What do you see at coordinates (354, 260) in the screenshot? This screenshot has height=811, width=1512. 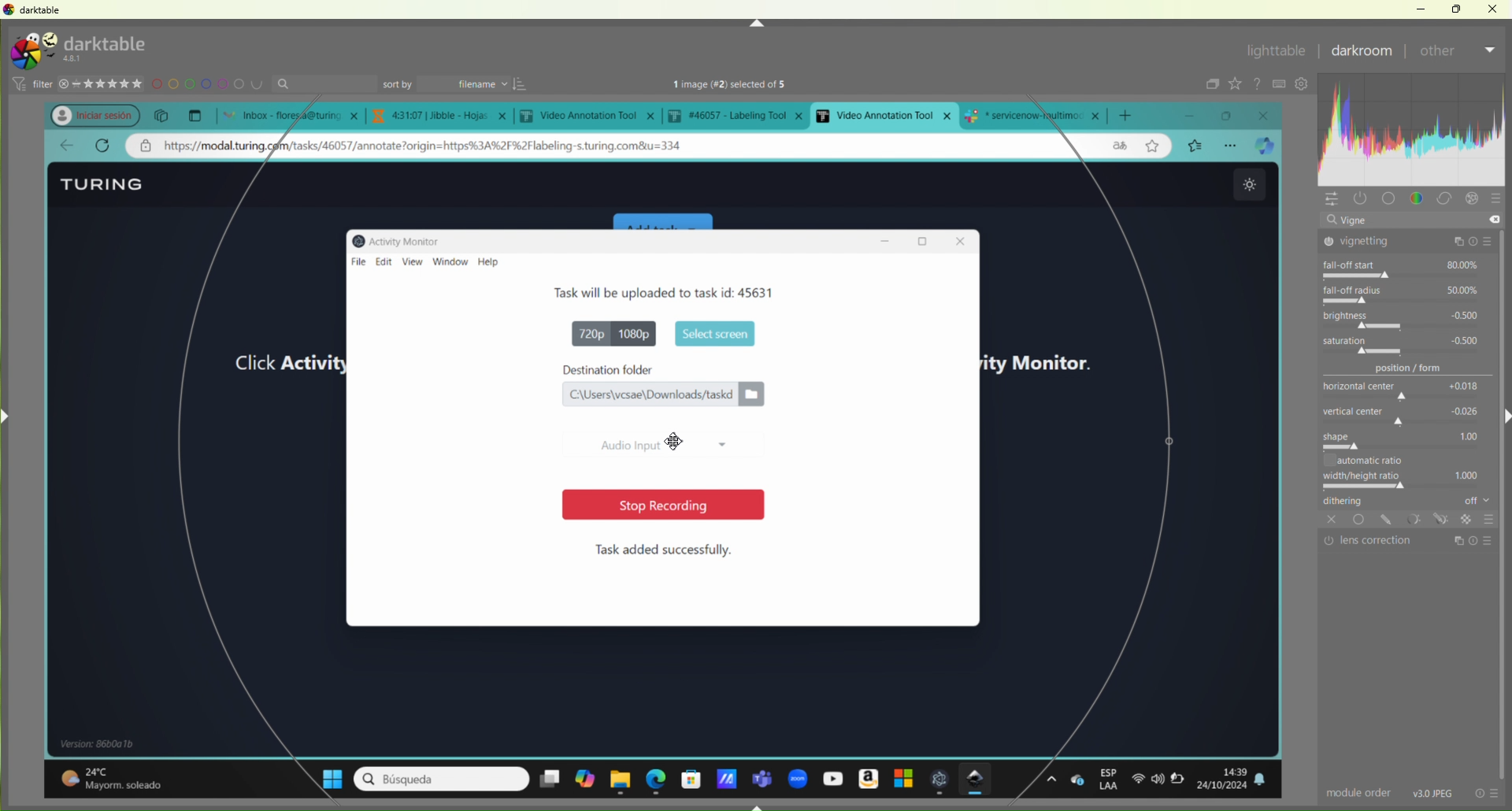 I see `file` at bounding box center [354, 260].